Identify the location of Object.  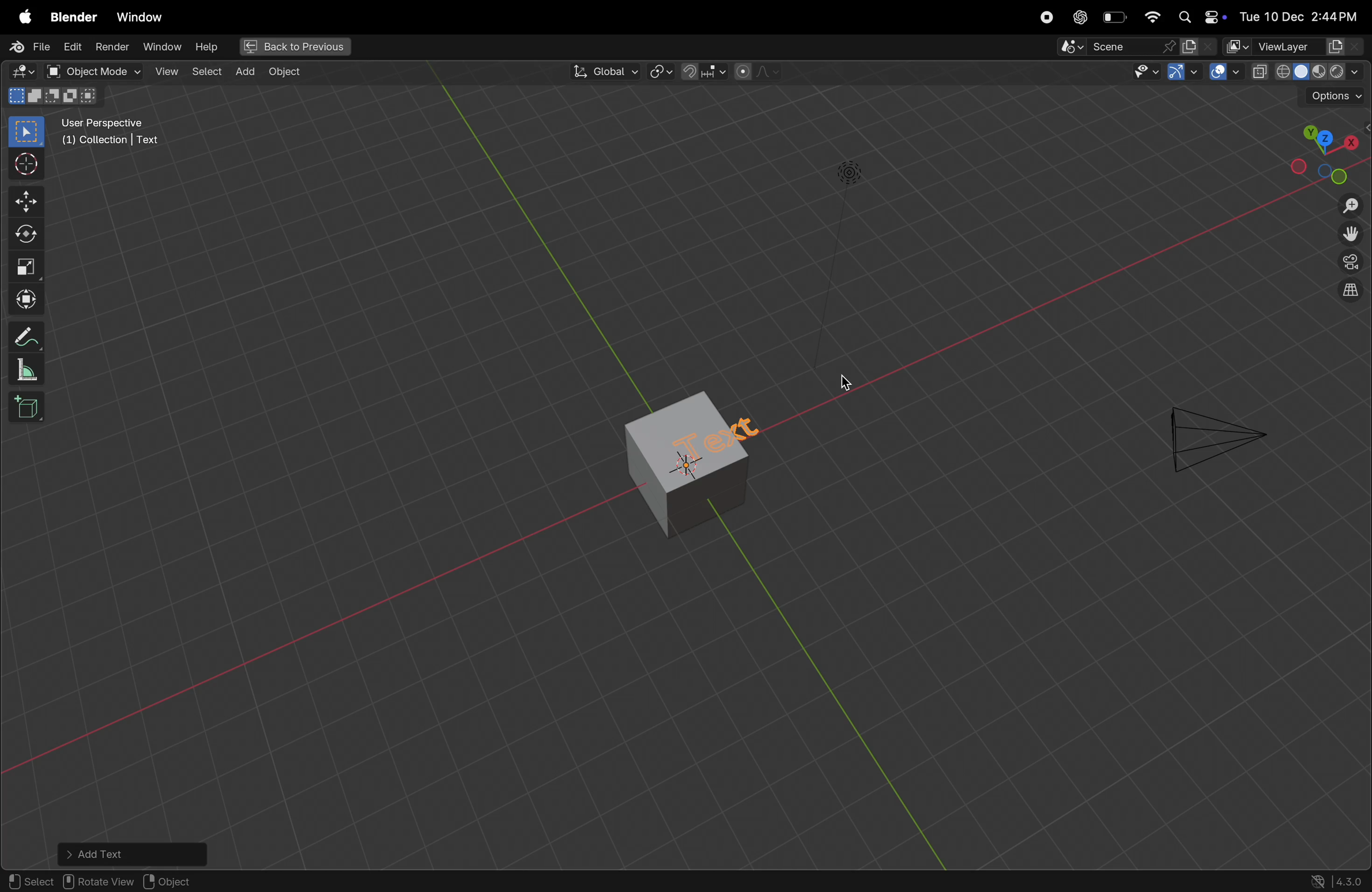
(288, 73).